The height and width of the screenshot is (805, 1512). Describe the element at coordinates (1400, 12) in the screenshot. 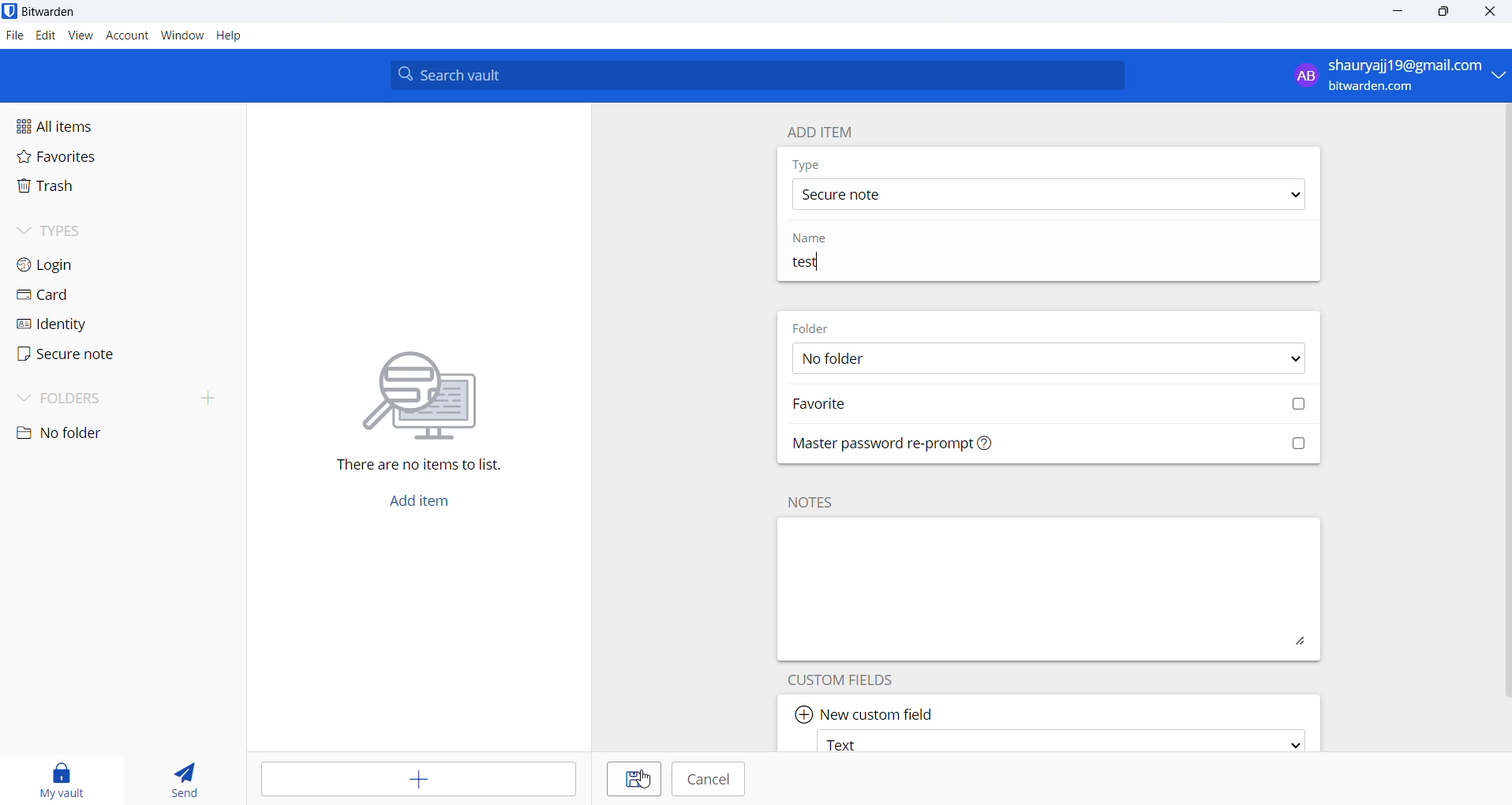

I see `minimize` at that location.